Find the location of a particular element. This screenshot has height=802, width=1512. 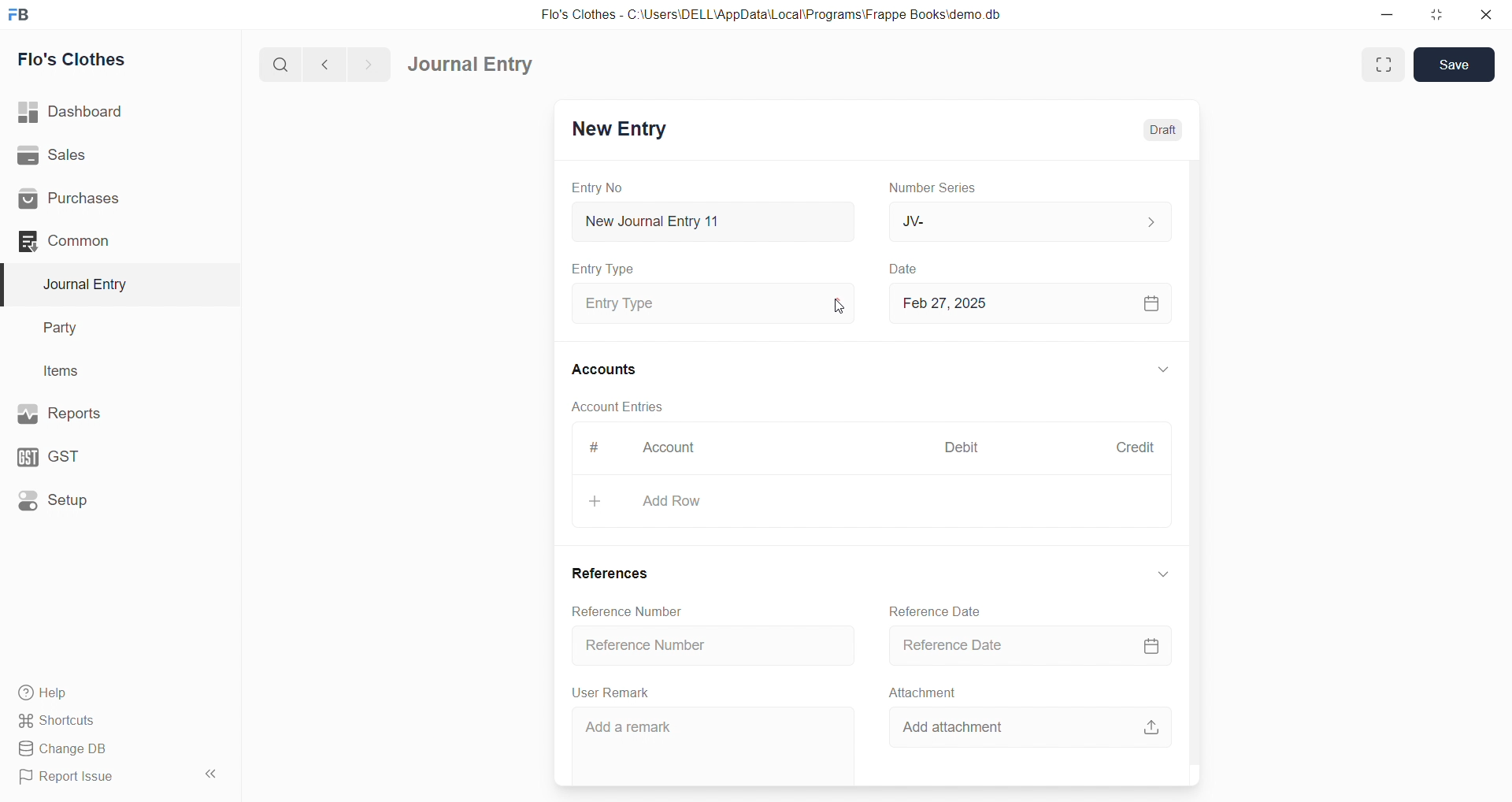

Reference Date is located at coordinates (1022, 648).